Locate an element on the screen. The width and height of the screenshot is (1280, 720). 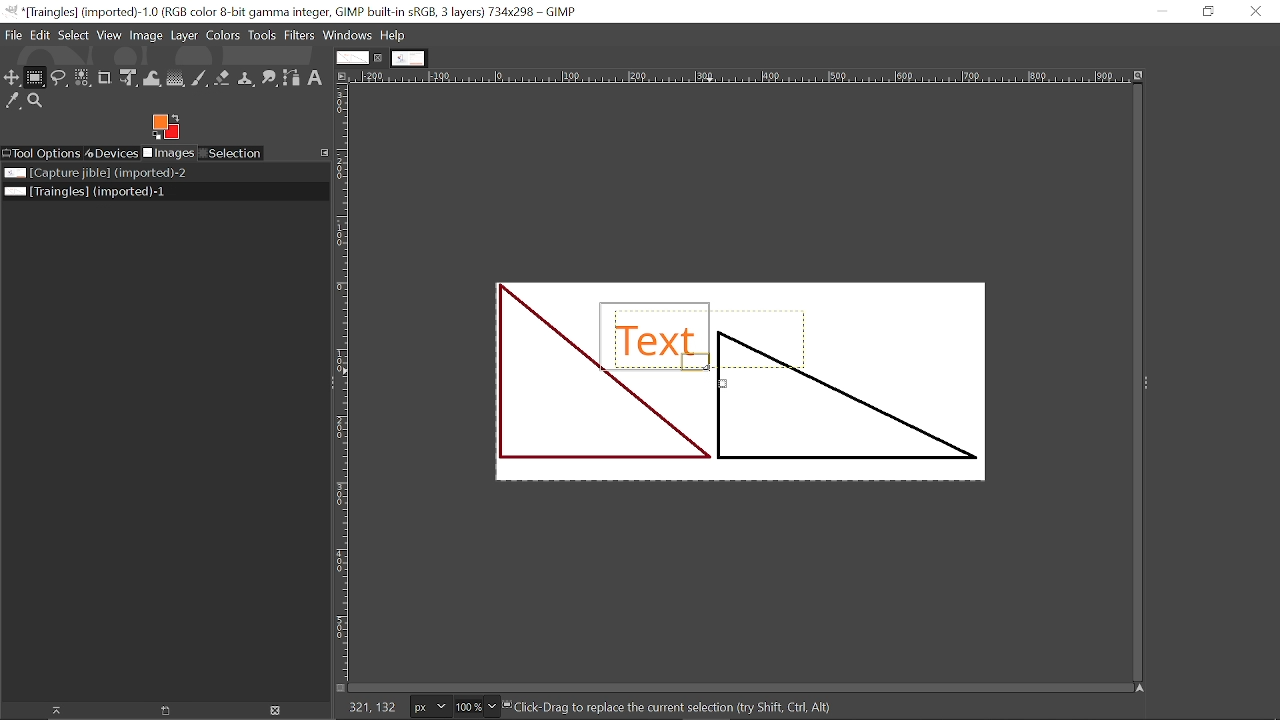
Zoom when window size changes is located at coordinates (1141, 76).